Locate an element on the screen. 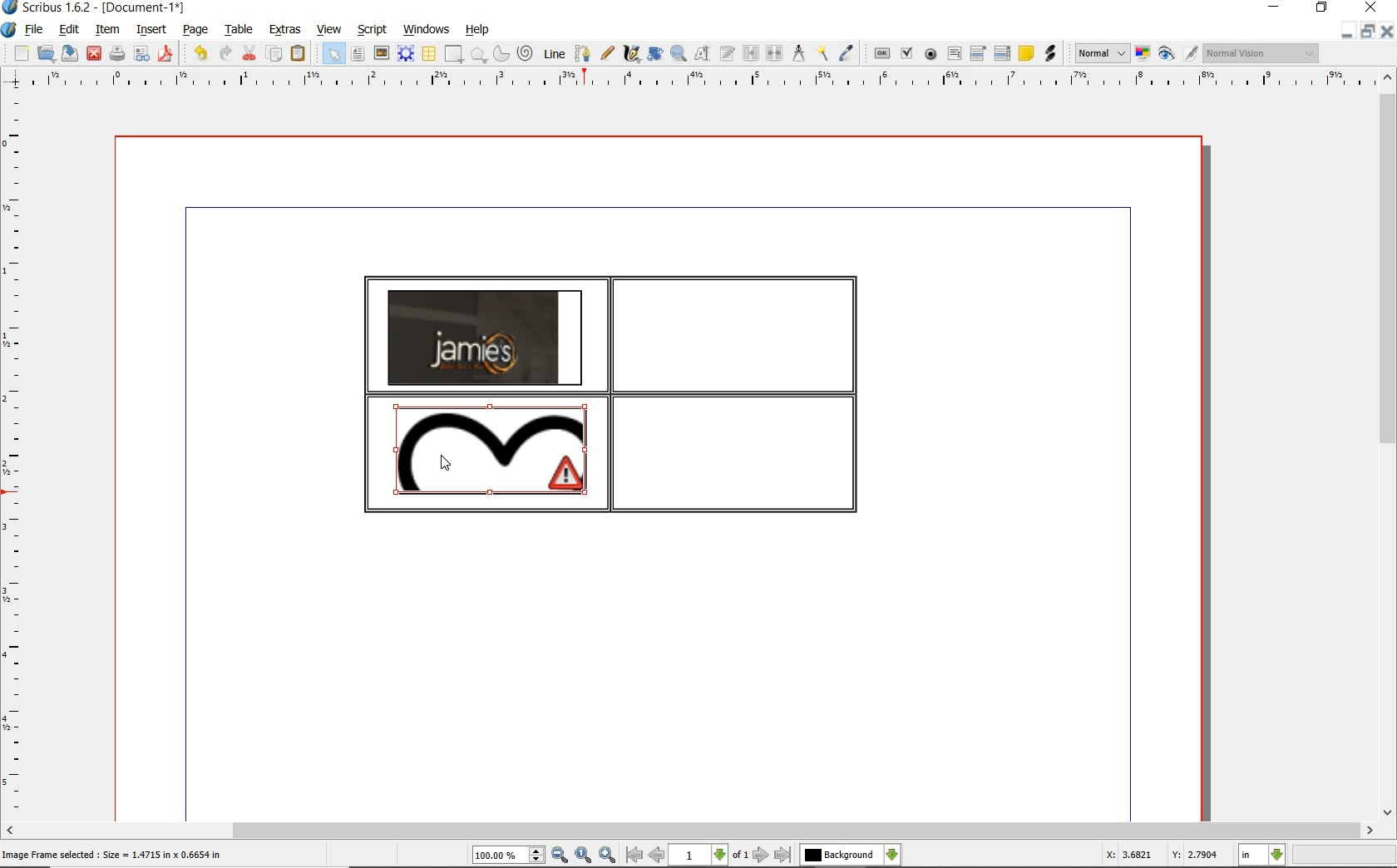 The width and height of the screenshot is (1397, 868). pdf text field is located at coordinates (955, 53).